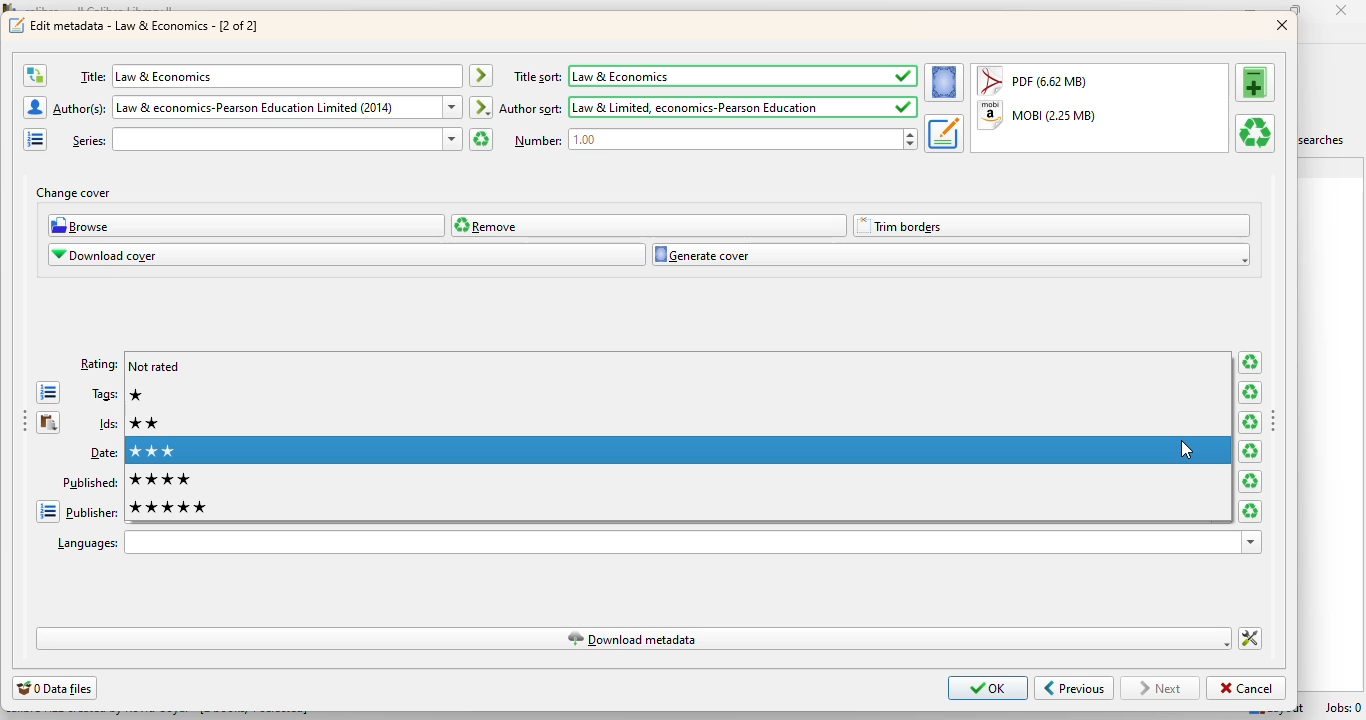  I want to click on languages: , so click(657, 542).